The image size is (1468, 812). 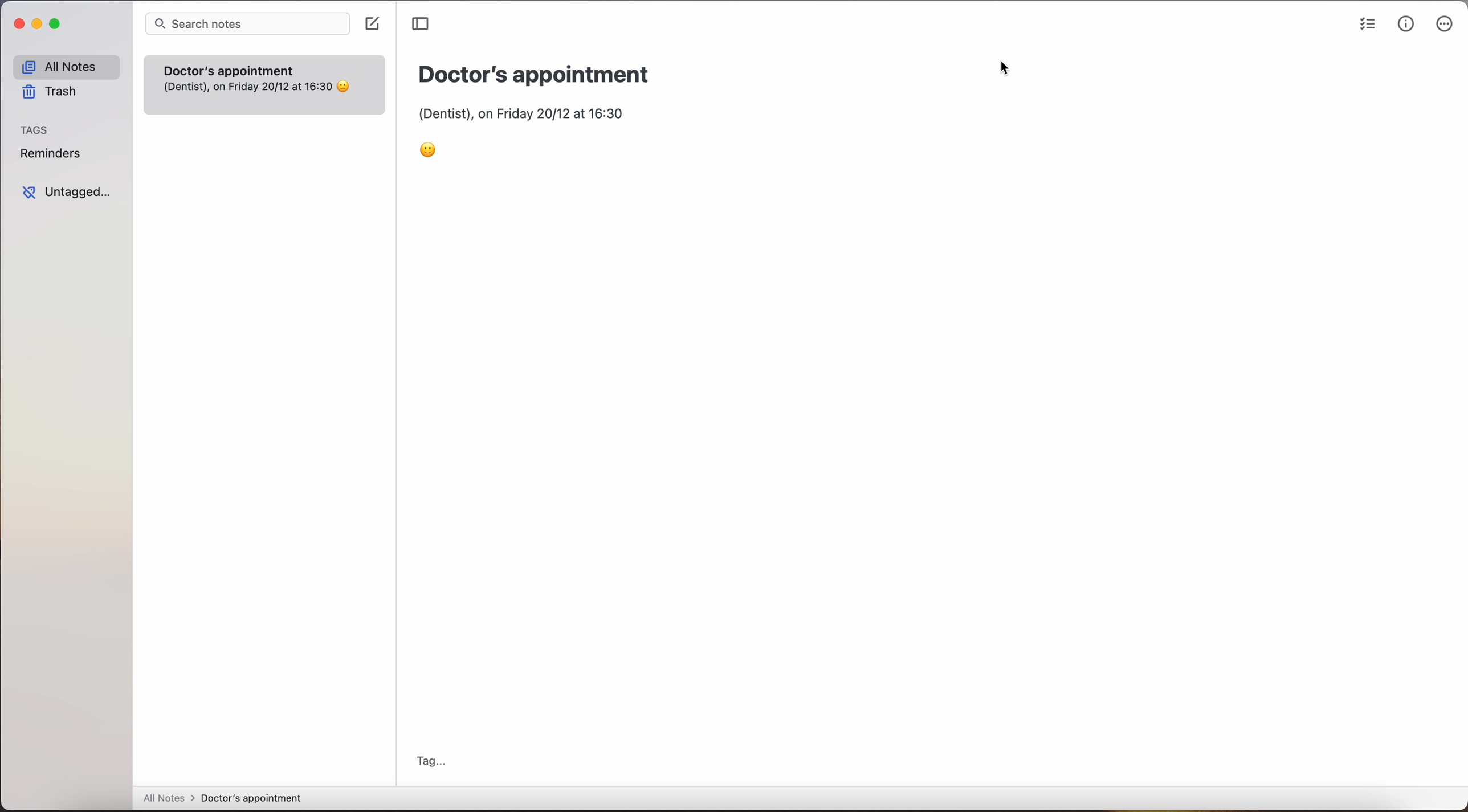 I want to click on all notes, so click(x=66, y=66).